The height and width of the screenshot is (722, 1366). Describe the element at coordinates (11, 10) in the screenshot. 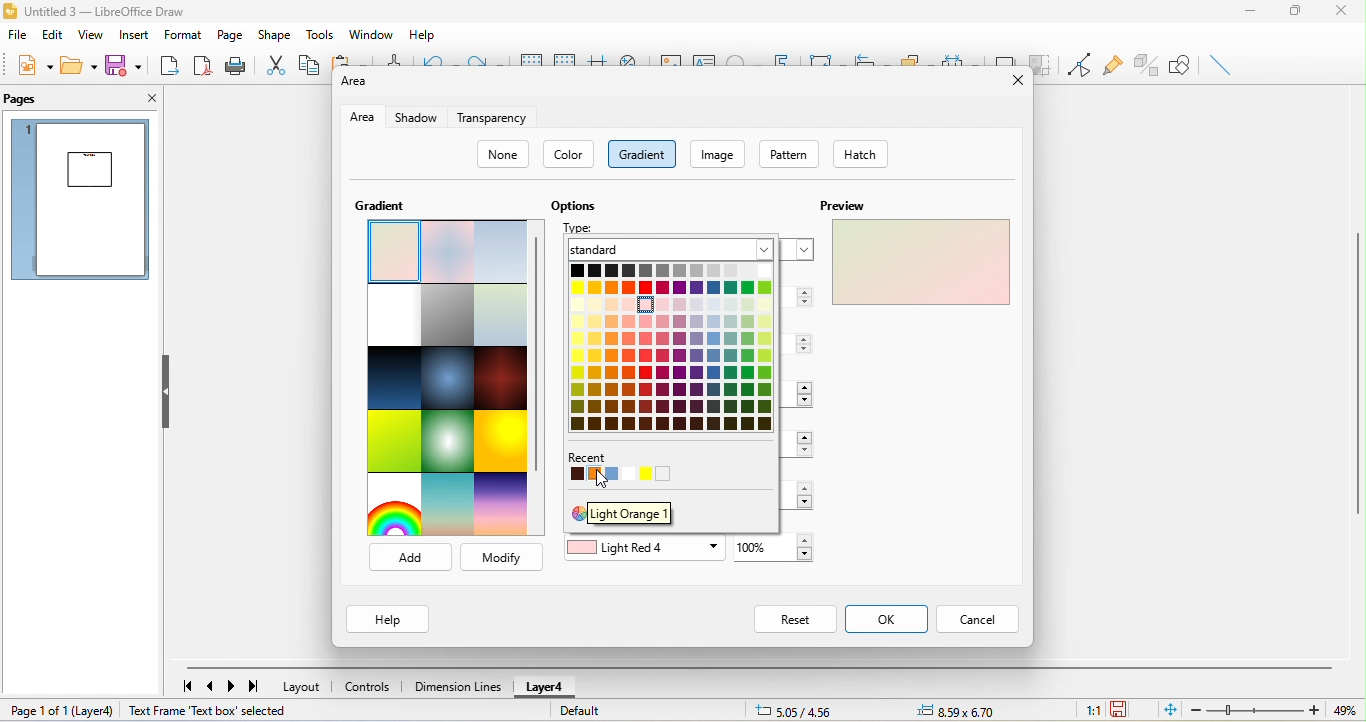

I see `libre office draw logo` at that location.